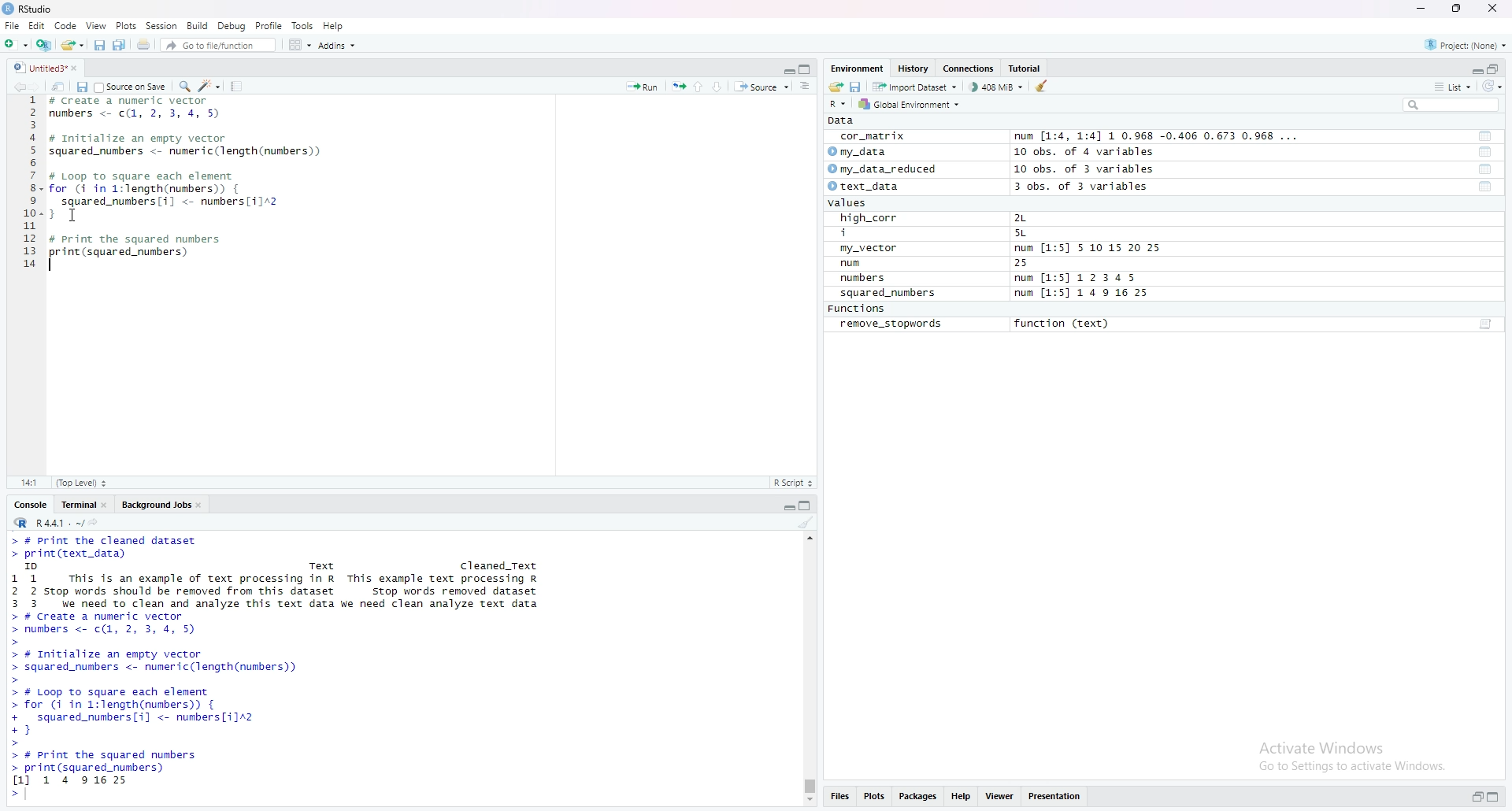 This screenshot has width=1512, height=811. I want to click on squared_numbers, so click(889, 295).